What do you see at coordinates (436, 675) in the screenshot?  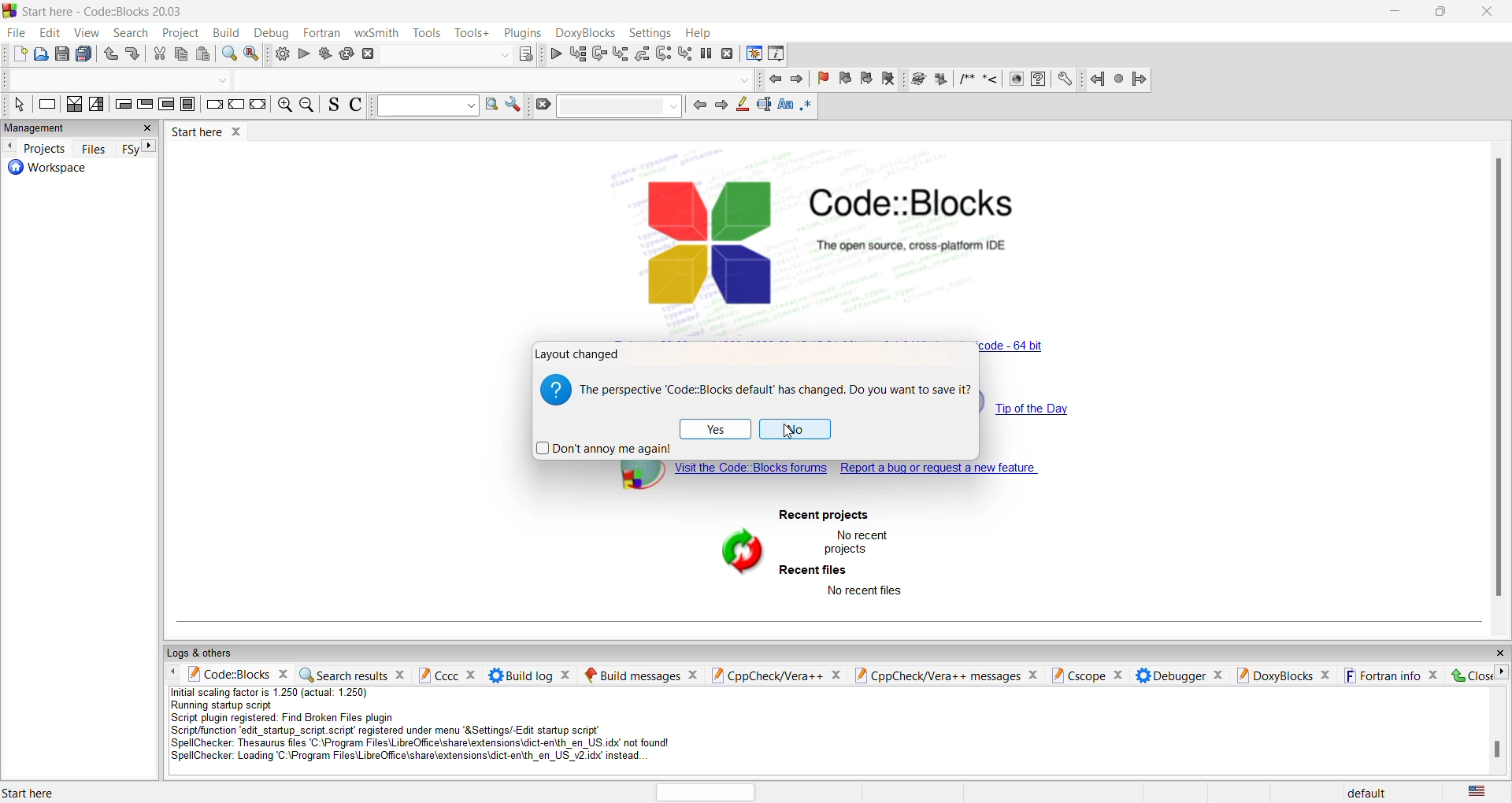 I see `Ccc pane` at bounding box center [436, 675].